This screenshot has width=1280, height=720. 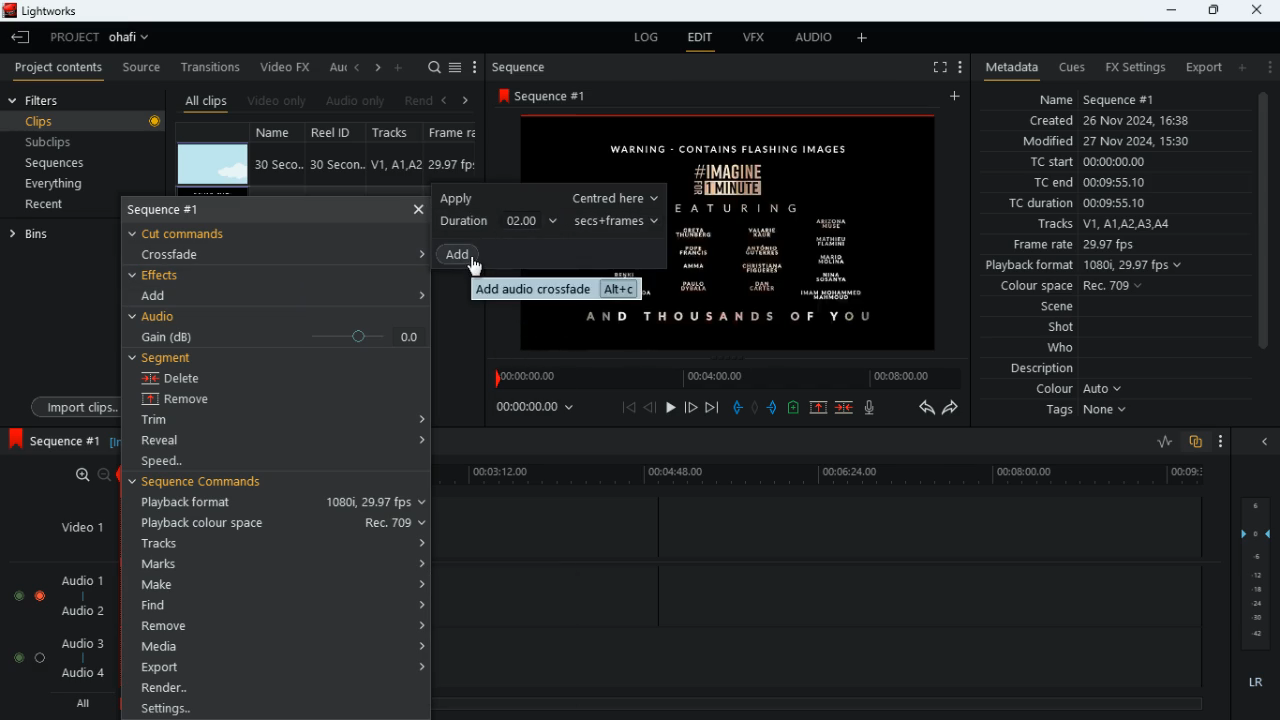 I want to click on Accordion, so click(x=419, y=442).